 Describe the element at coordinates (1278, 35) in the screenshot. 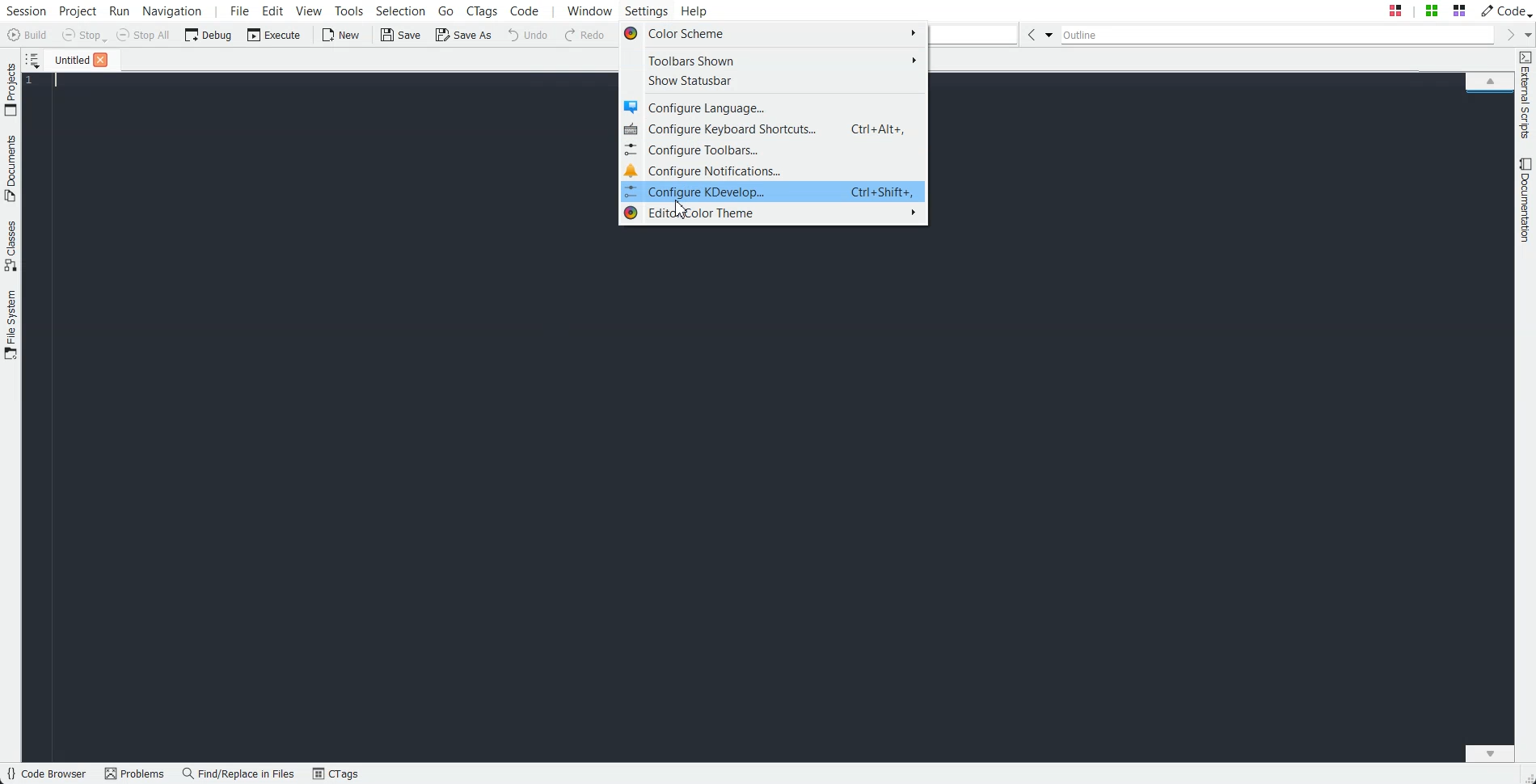

I see `Outline` at that location.